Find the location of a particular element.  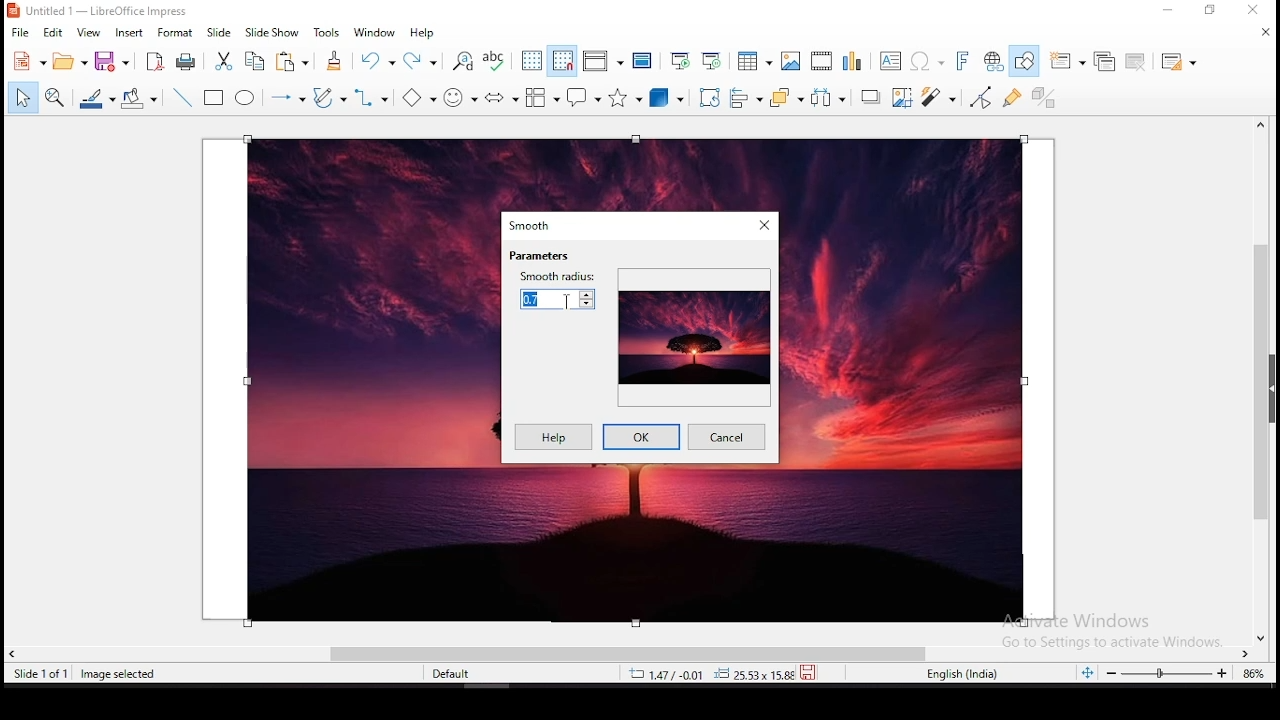

restore is located at coordinates (1212, 12).